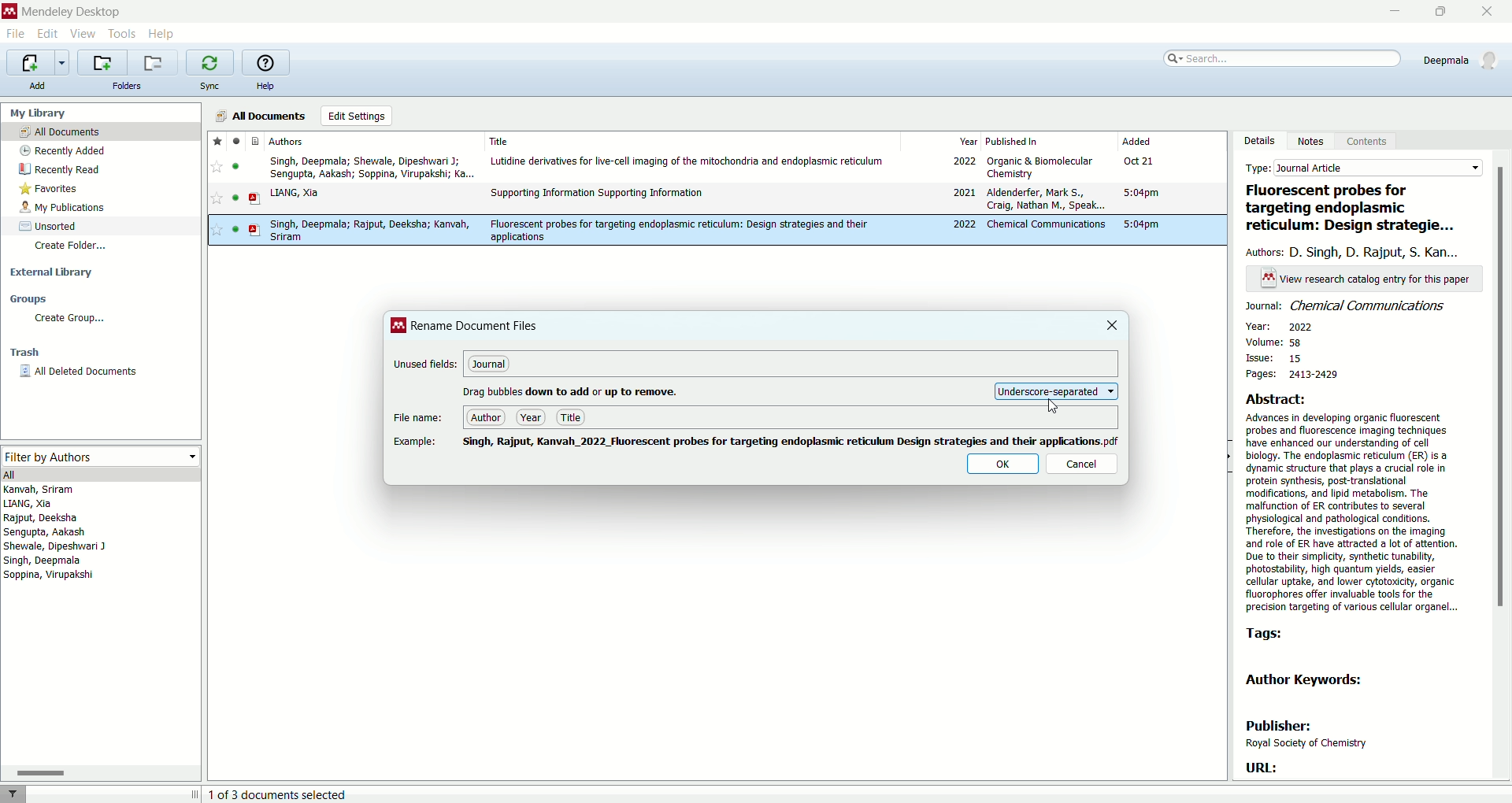 This screenshot has width=1512, height=803. Describe the element at coordinates (219, 231) in the screenshot. I see `favorite` at that location.